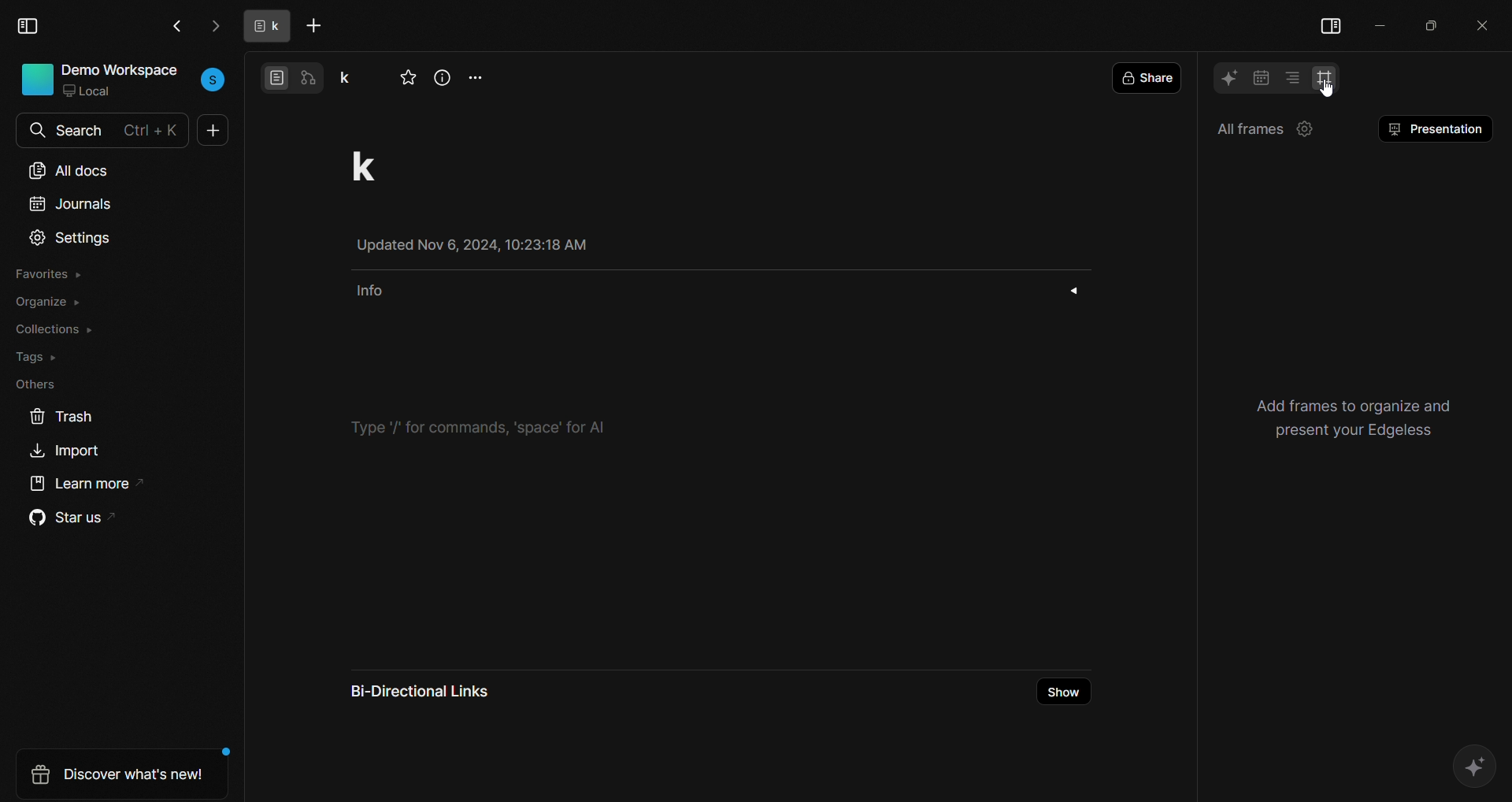 Image resolution: width=1512 pixels, height=802 pixels. Describe the element at coordinates (486, 245) in the screenshot. I see `Updated Nov 6, 2024, 10:23:18 AM` at that location.